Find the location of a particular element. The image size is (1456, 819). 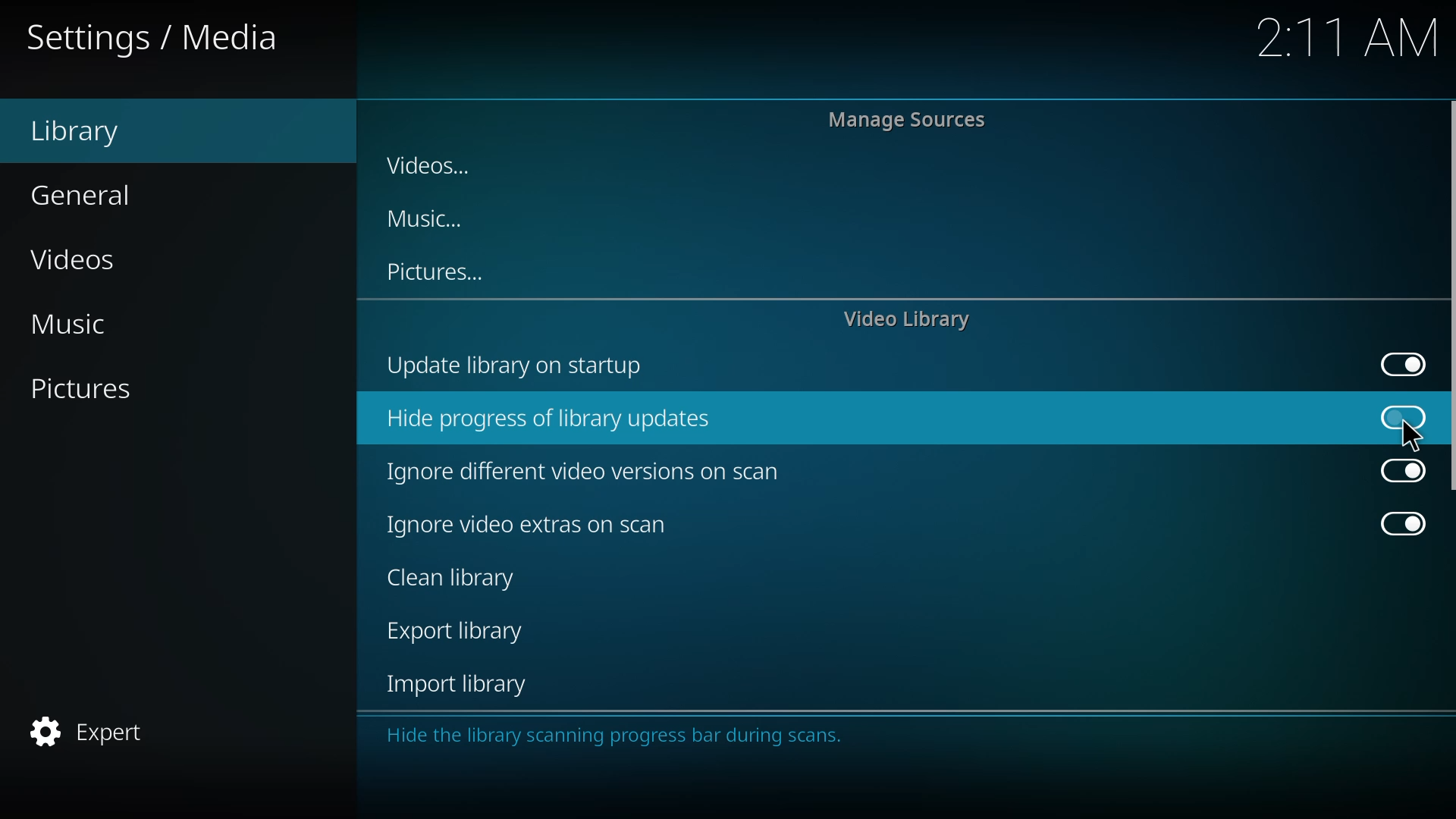

enabled is located at coordinates (1402, 363).